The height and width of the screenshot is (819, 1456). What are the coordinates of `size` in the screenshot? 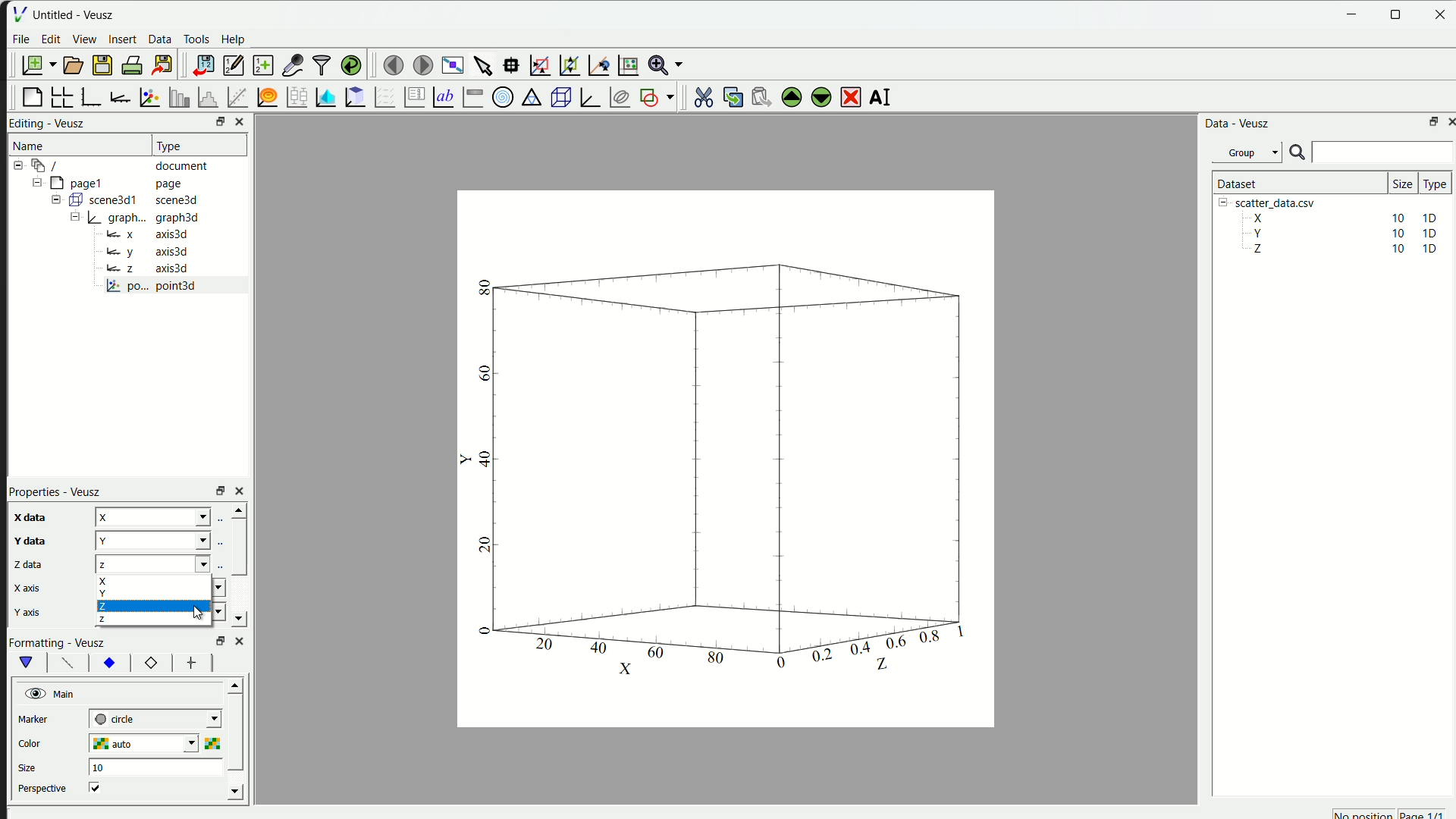 It's located at (1398, 180).